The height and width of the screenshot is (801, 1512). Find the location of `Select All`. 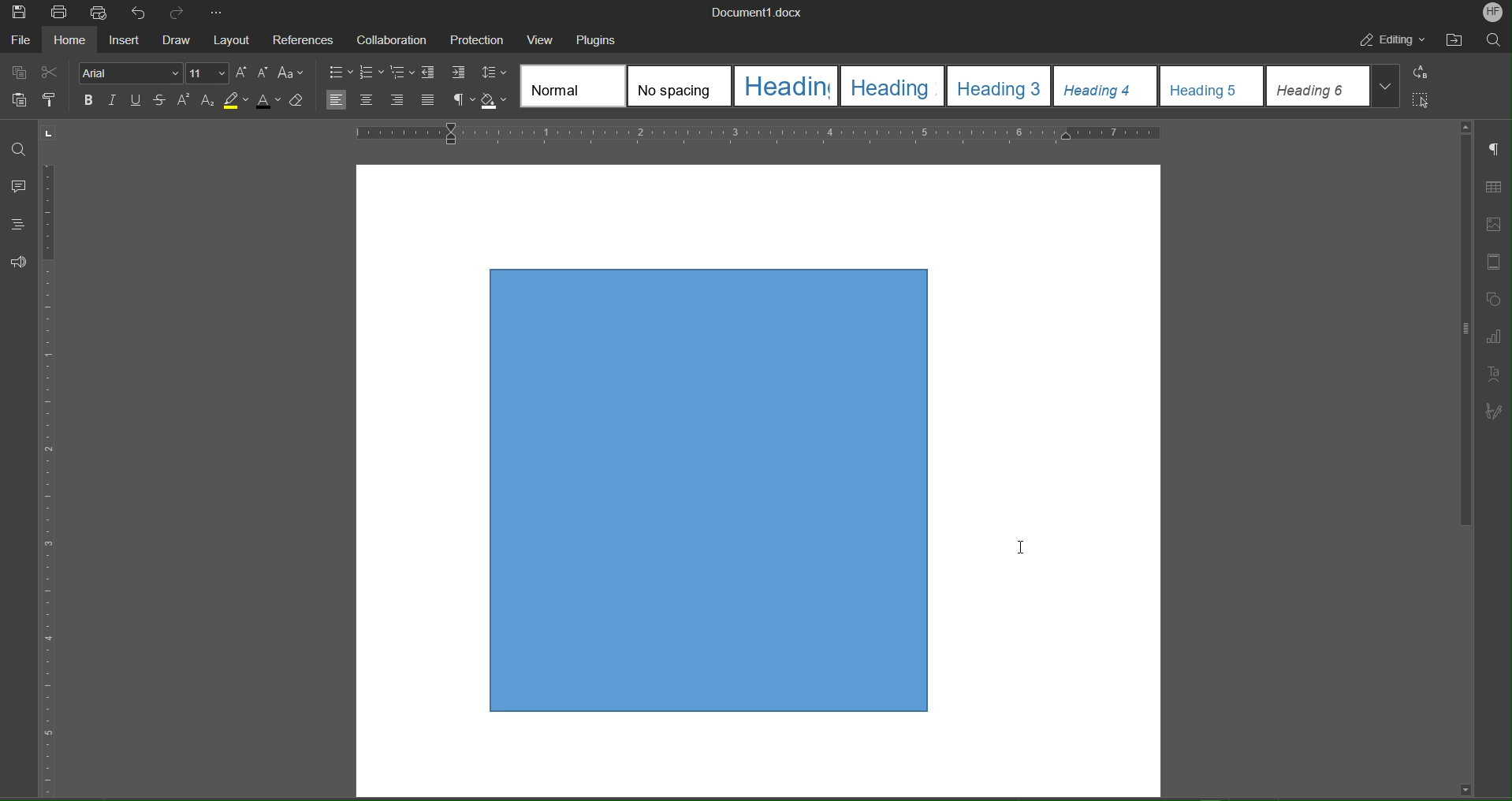

Select All is located at coordinates (1423, 99).